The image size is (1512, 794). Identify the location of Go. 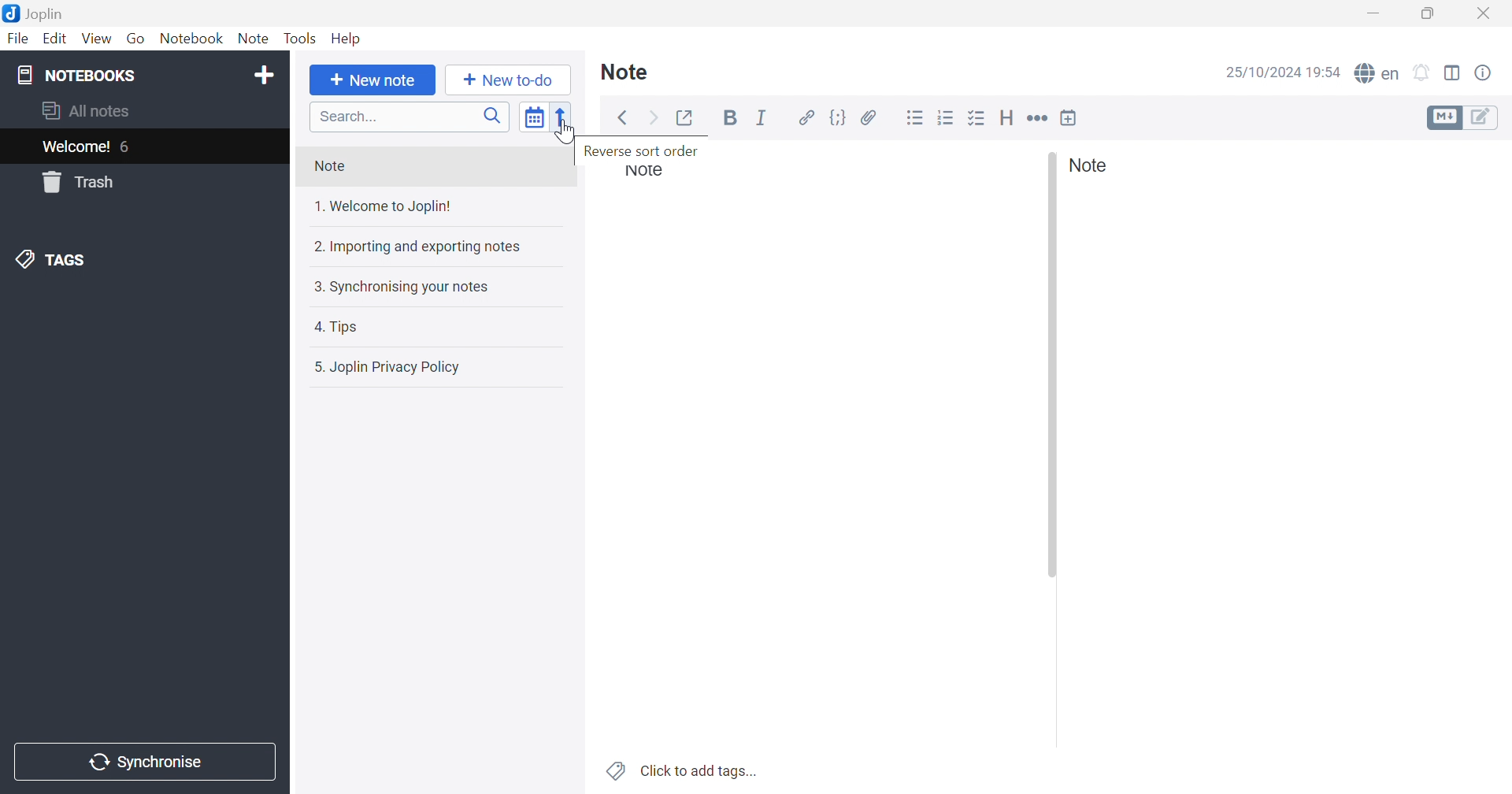
(136, 39).